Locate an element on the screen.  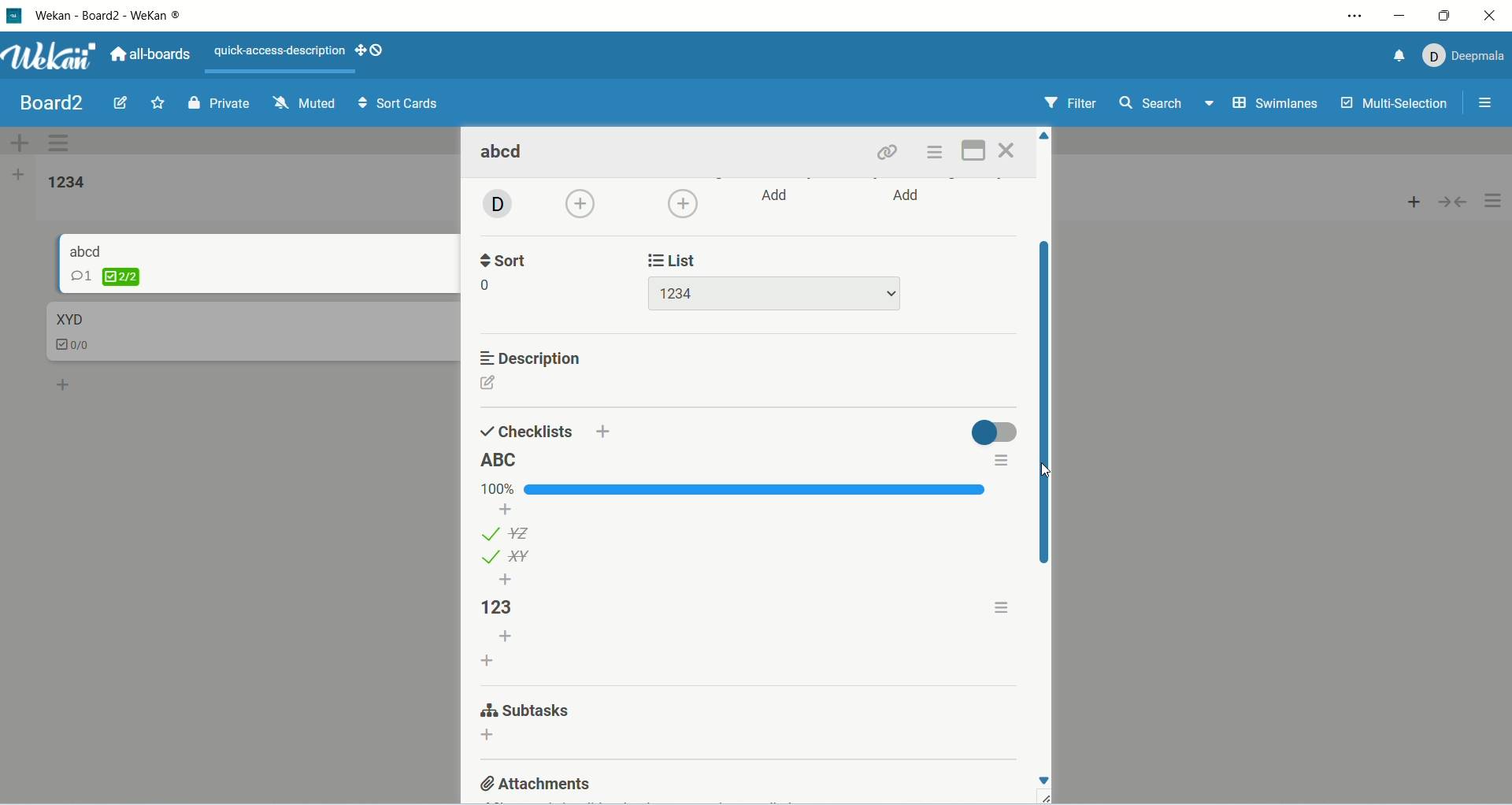
checklist is located at coordinates (80, 347).